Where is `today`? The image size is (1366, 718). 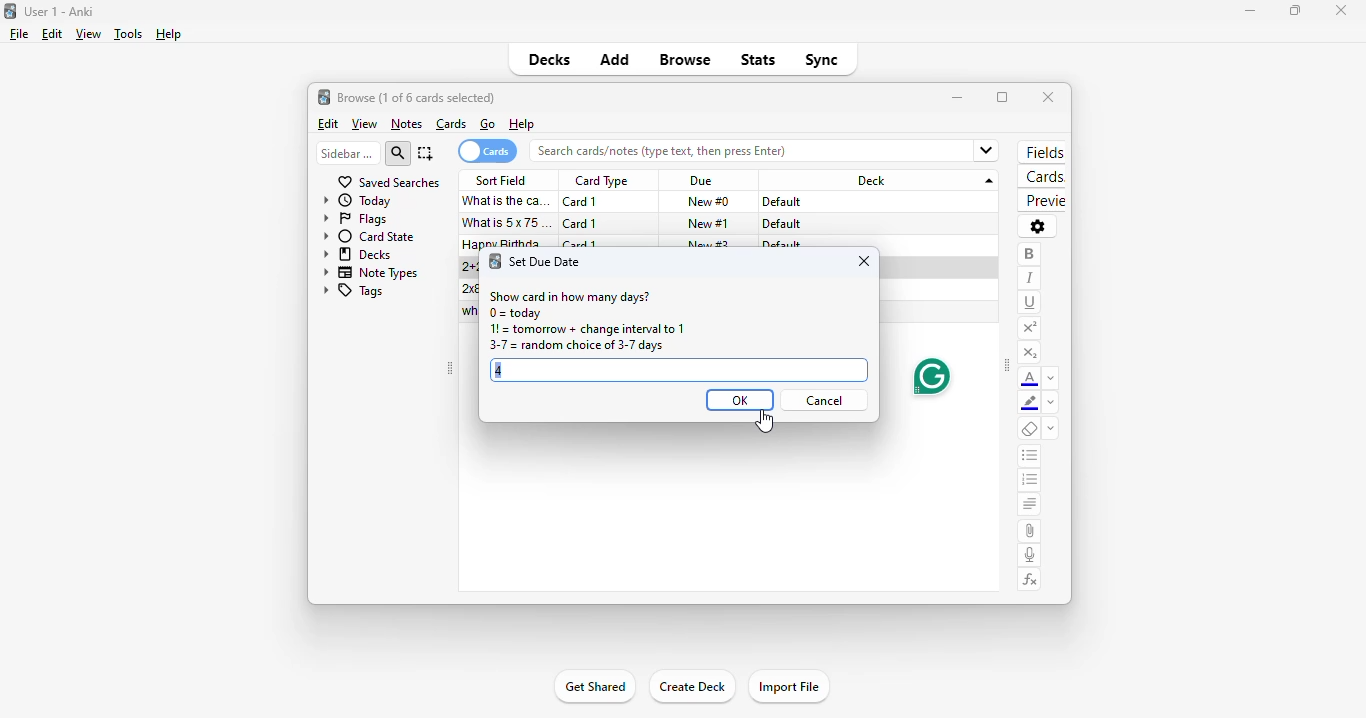 today is located at coordinates (358, 201).